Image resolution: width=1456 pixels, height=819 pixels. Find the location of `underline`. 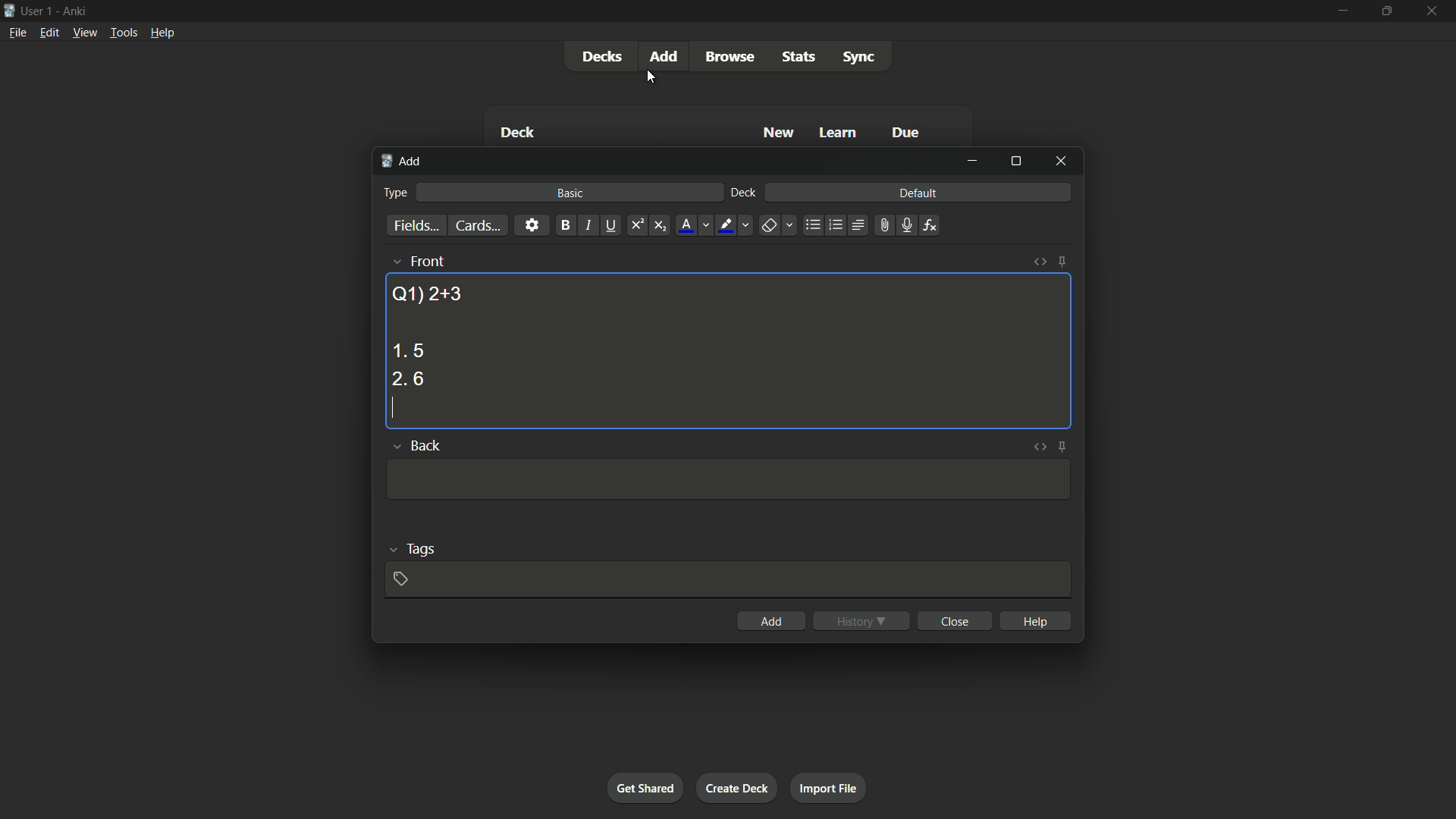

underline is located at coordinates (610, 225).